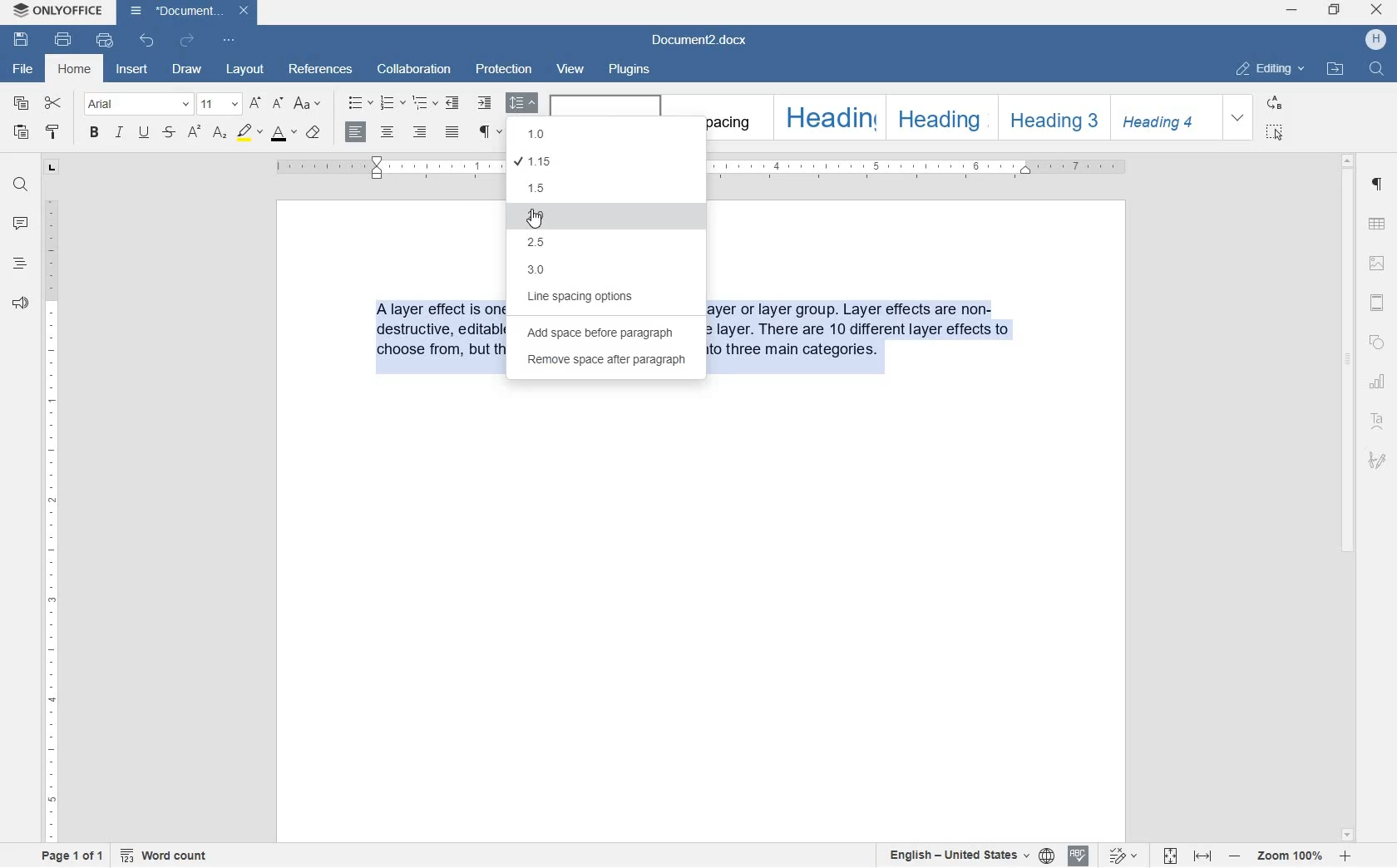 The width and height of the screenshot is (1397, 868). I want to click on spell checking, so click(1078, 856).